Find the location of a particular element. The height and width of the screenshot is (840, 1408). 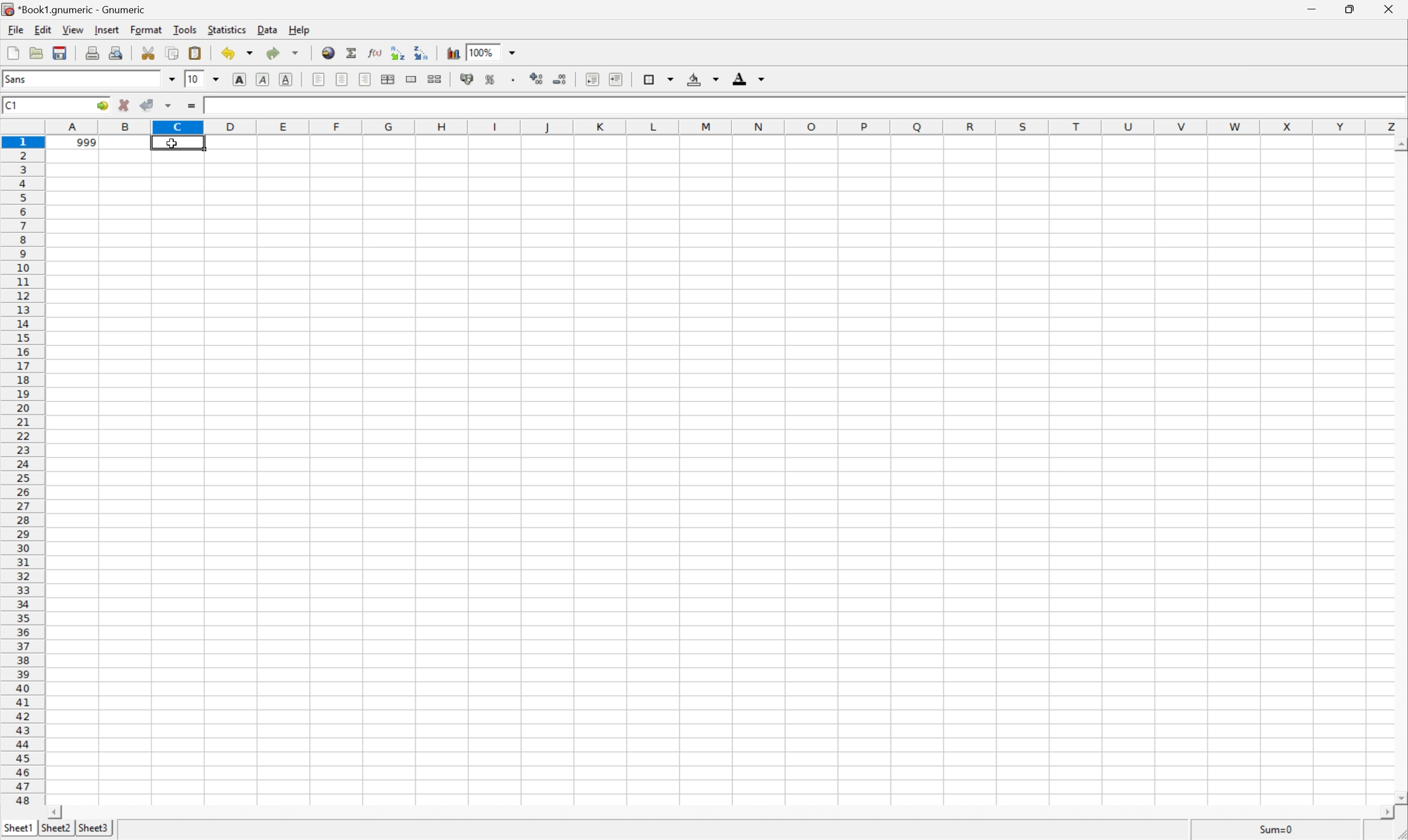

paste is located at coordinates (195, 53).